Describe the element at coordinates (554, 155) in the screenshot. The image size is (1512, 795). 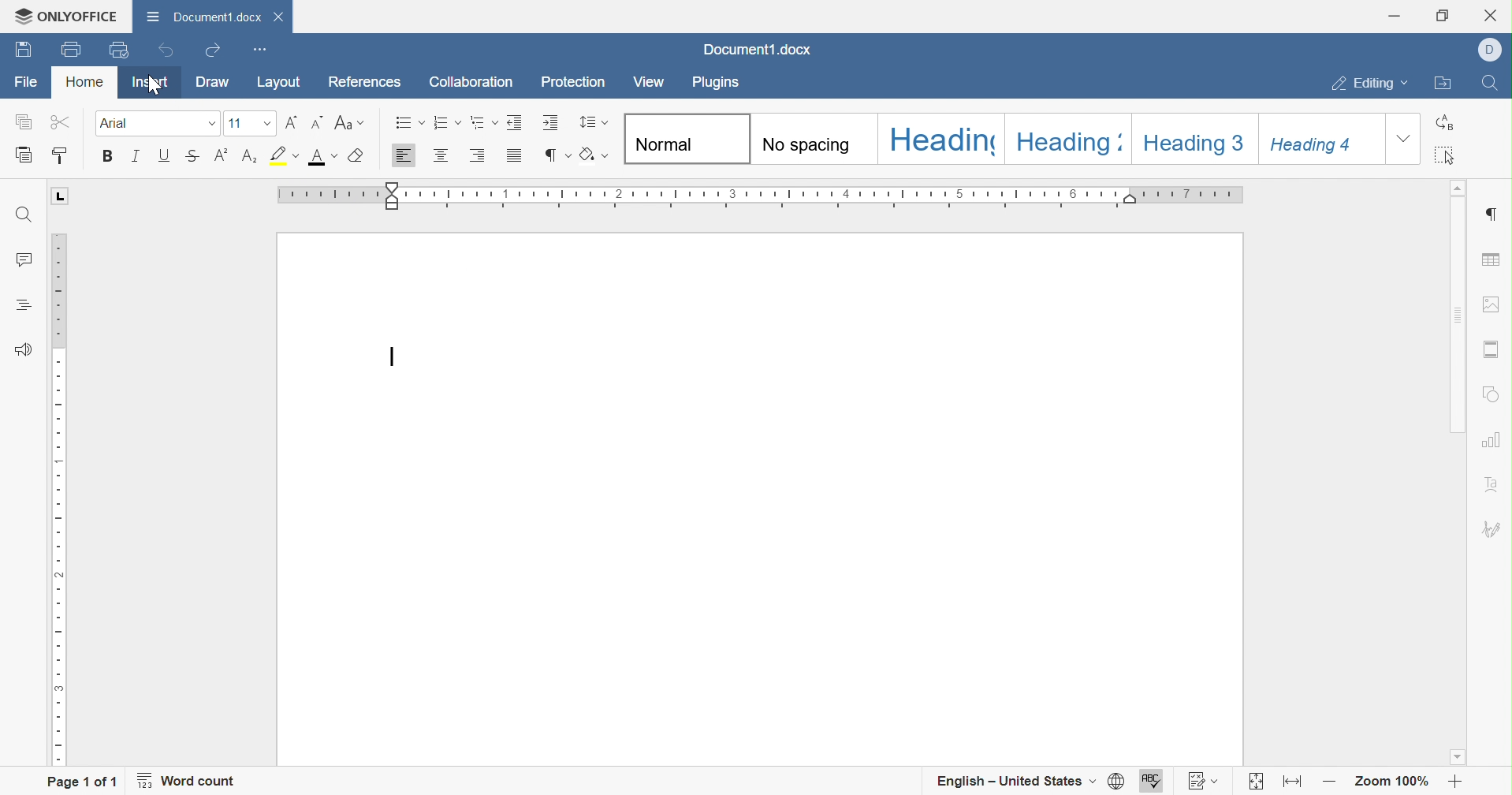
I see `Nonprinting characters` at that location.